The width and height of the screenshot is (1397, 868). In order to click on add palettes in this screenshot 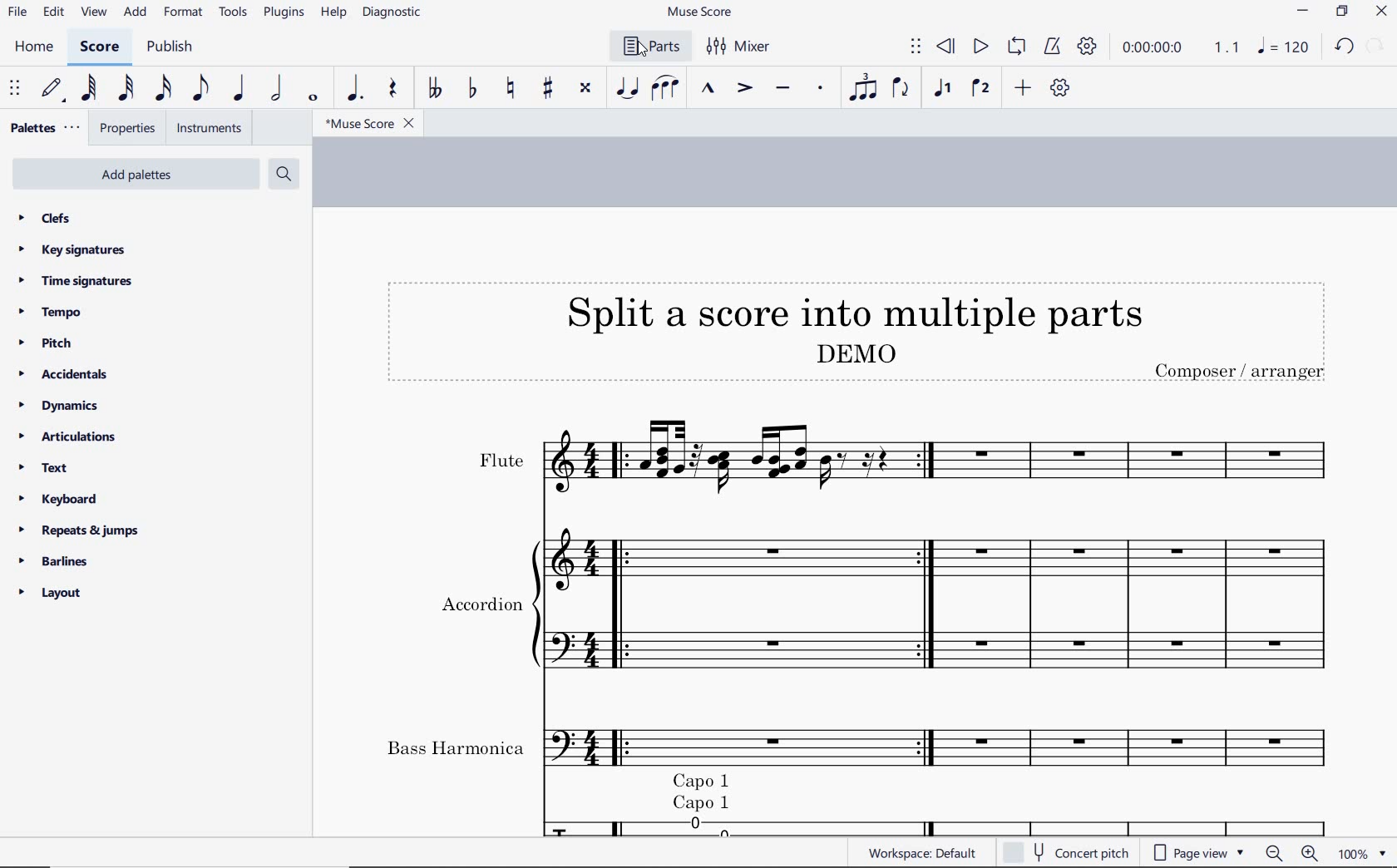, I will do `click(135, 174)`.